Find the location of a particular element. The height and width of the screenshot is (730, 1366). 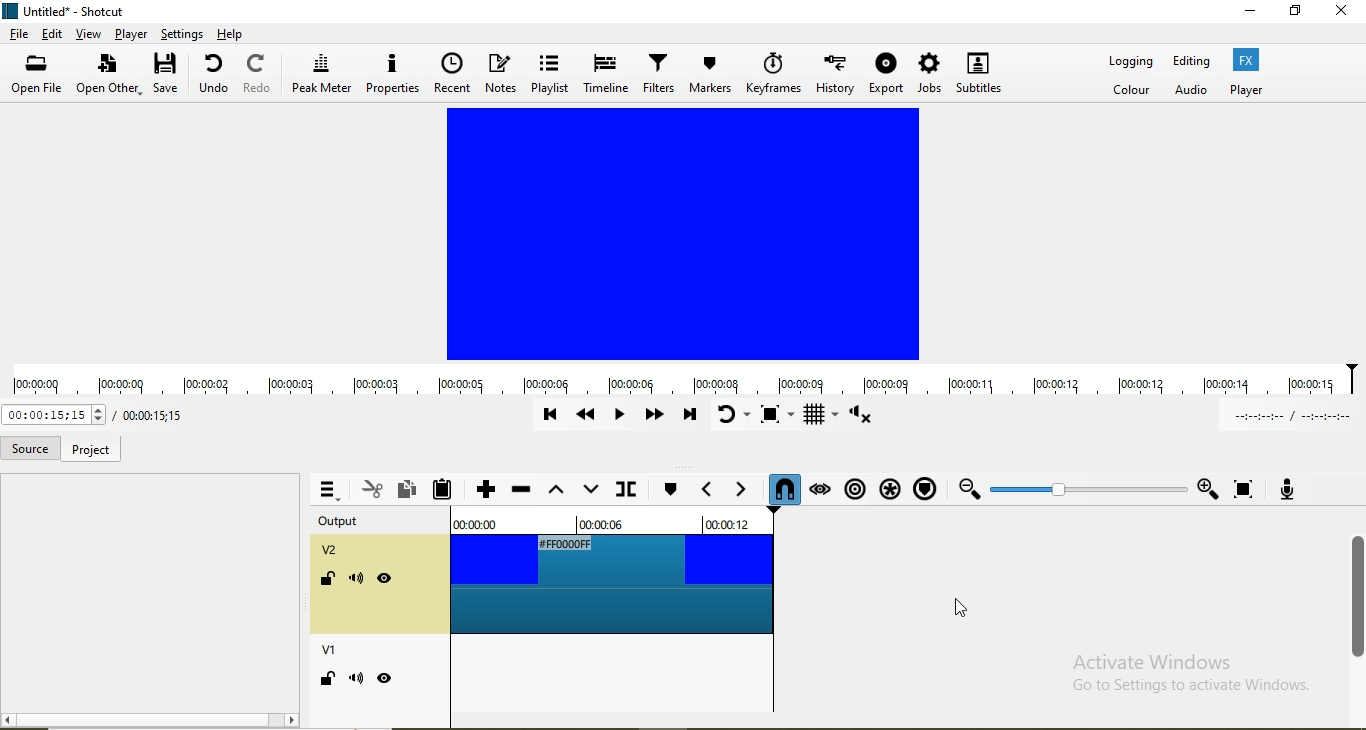

restore is located at coordinates (1297, 13).